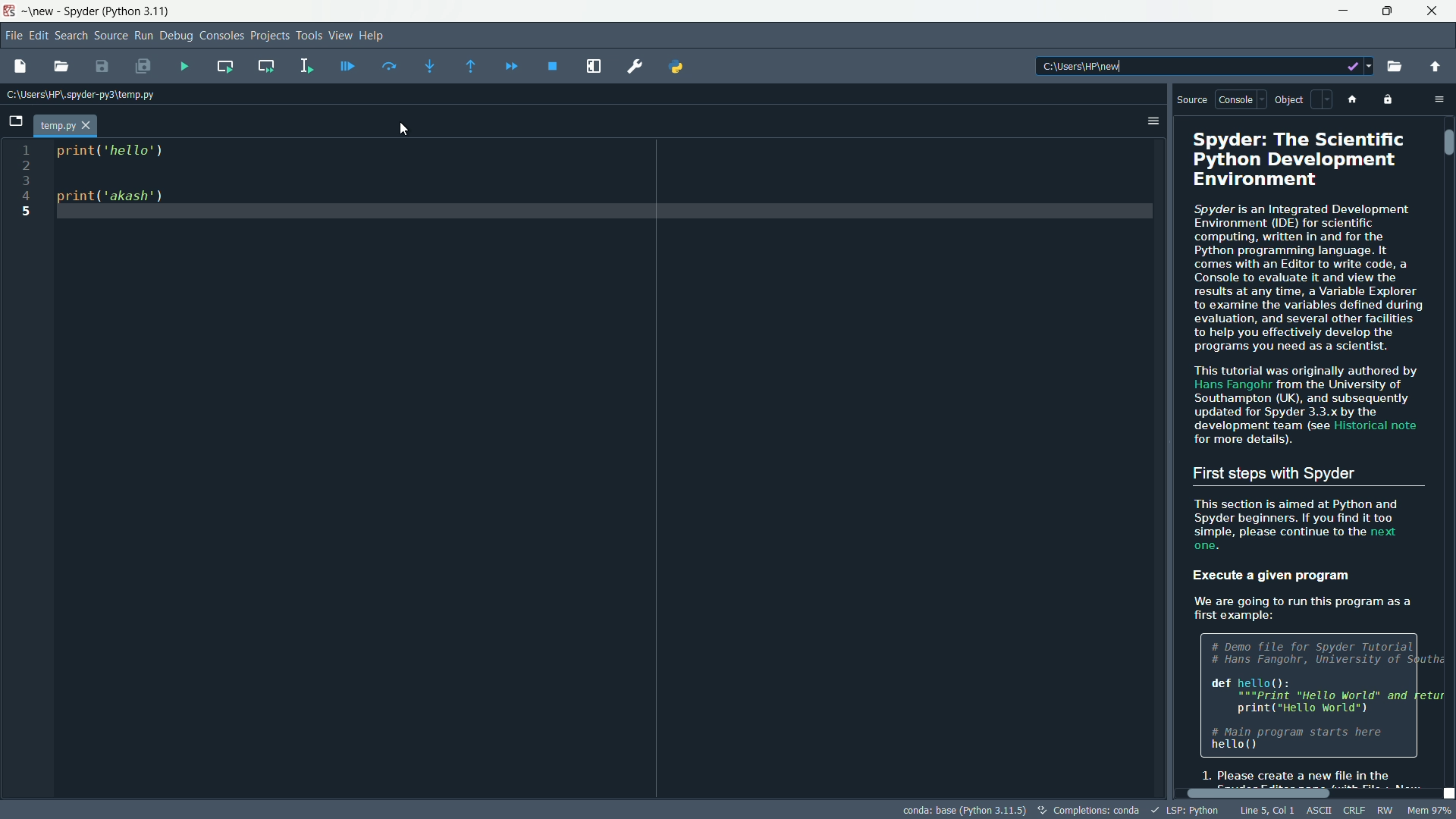 Image resolution: width=1456 pixels, height=819 pixels. I want to click on console, so click(1239, 99).